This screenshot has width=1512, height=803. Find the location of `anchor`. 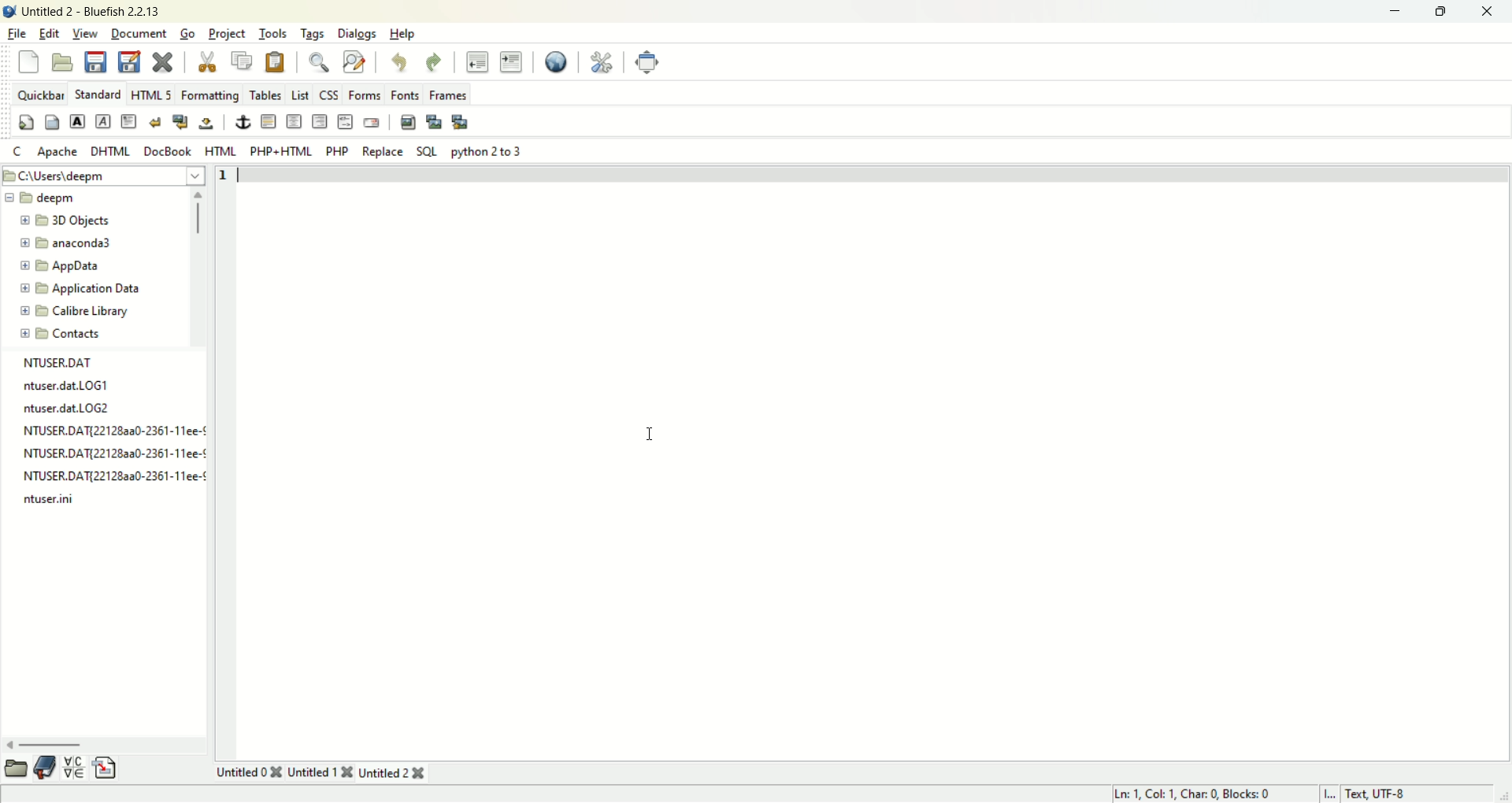

anchor is located at coordinates (241, 122).